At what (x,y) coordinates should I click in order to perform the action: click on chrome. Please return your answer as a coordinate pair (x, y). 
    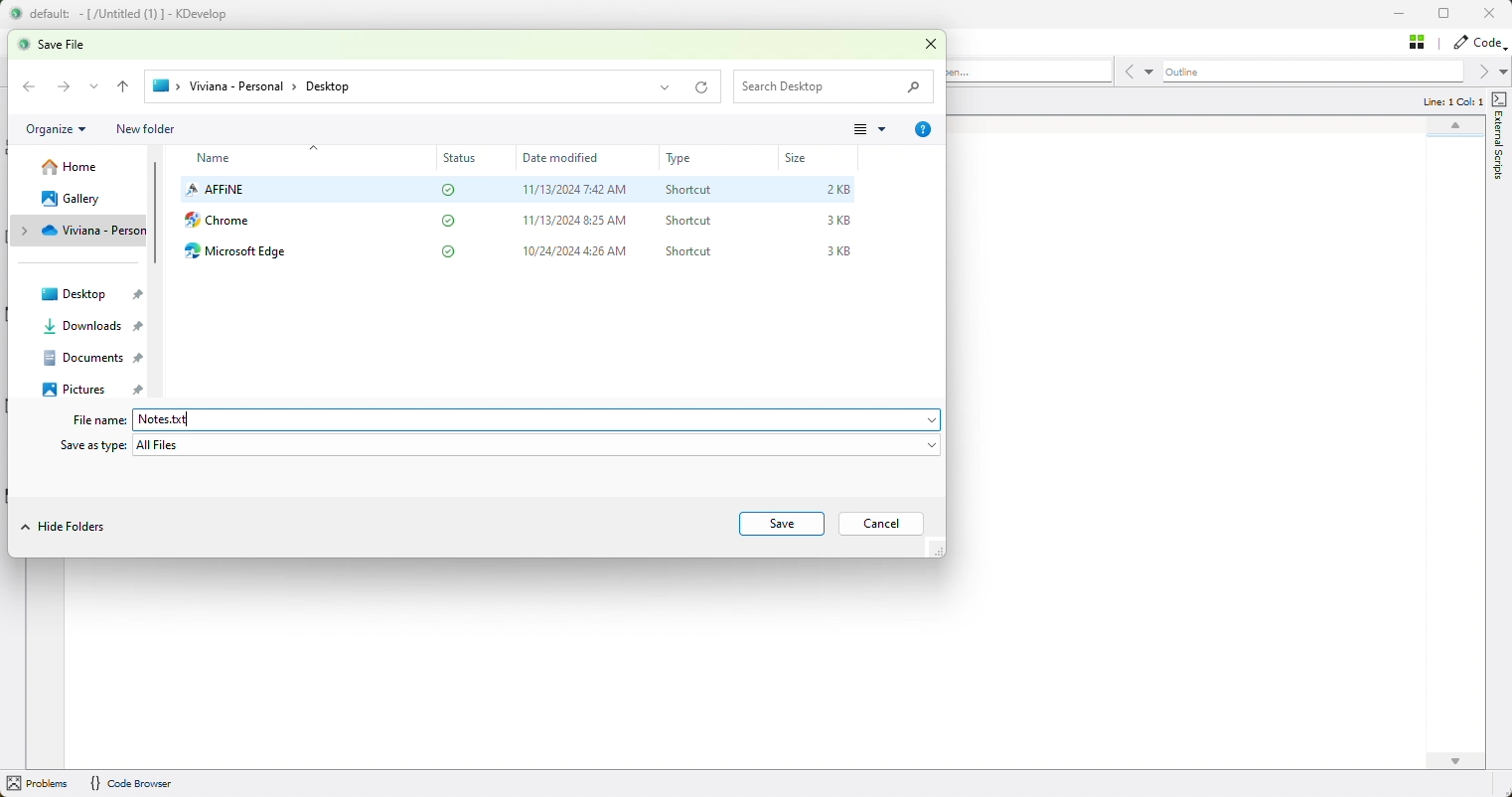
    Looking at the image, I should click on (219, 222).